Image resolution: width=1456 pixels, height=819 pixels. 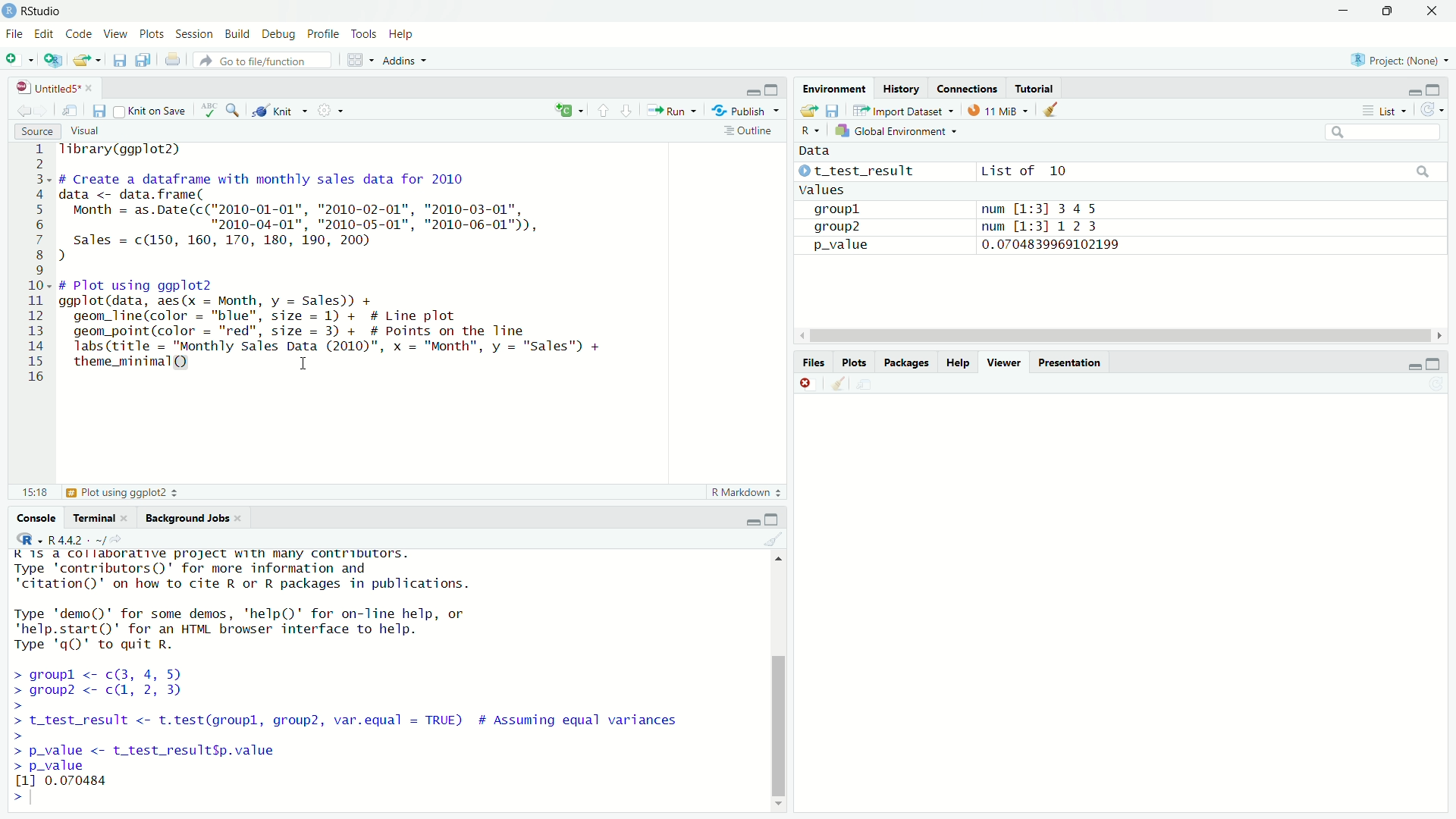 I want to click on Outline, so click(x=749, y=130).